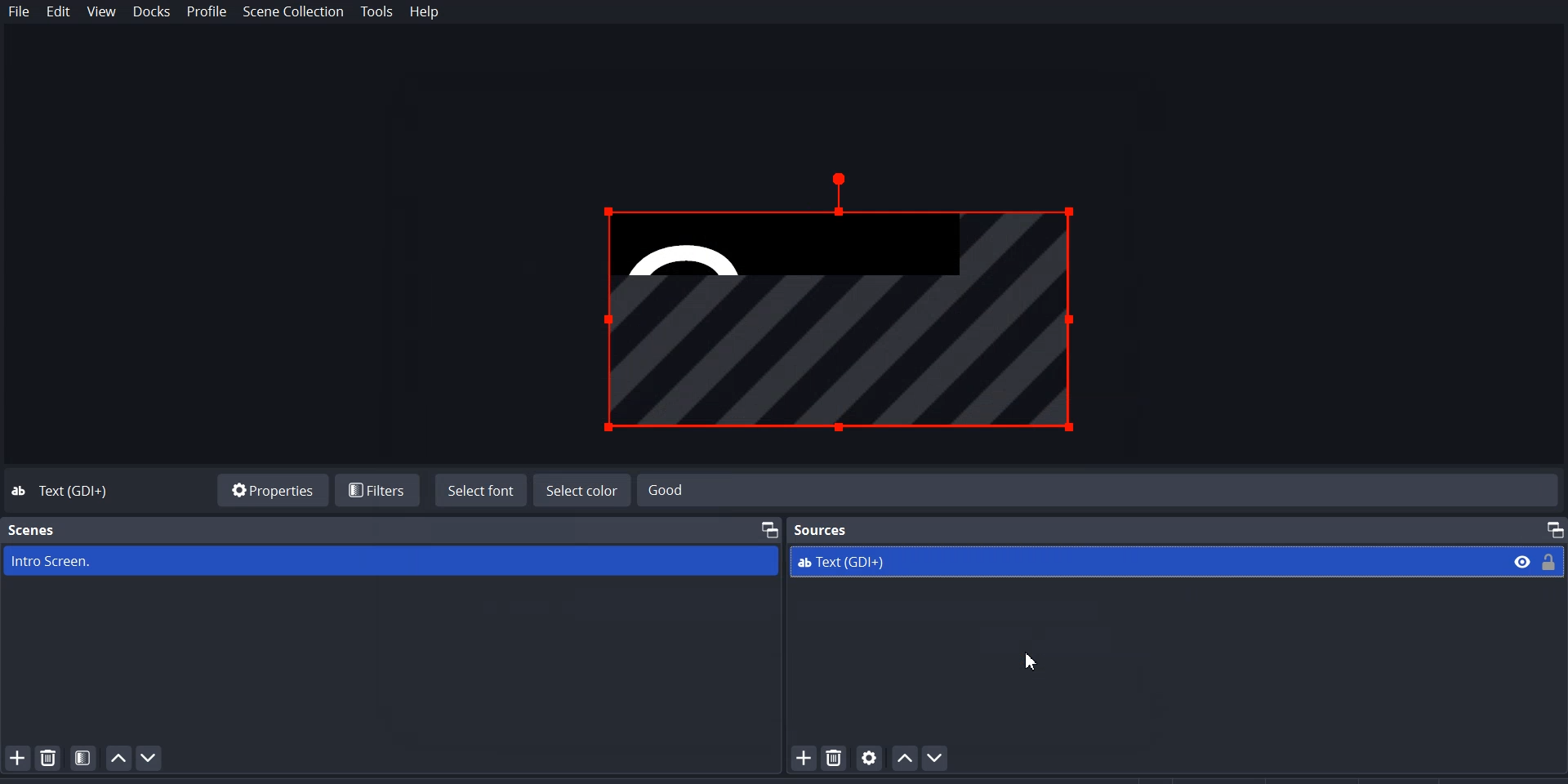 The width and height of the screenshot is (1568, 784). What do you see at coordinates (770, 530) in the screenshot?
I see `Maximize` at bounding box center [770, 530].